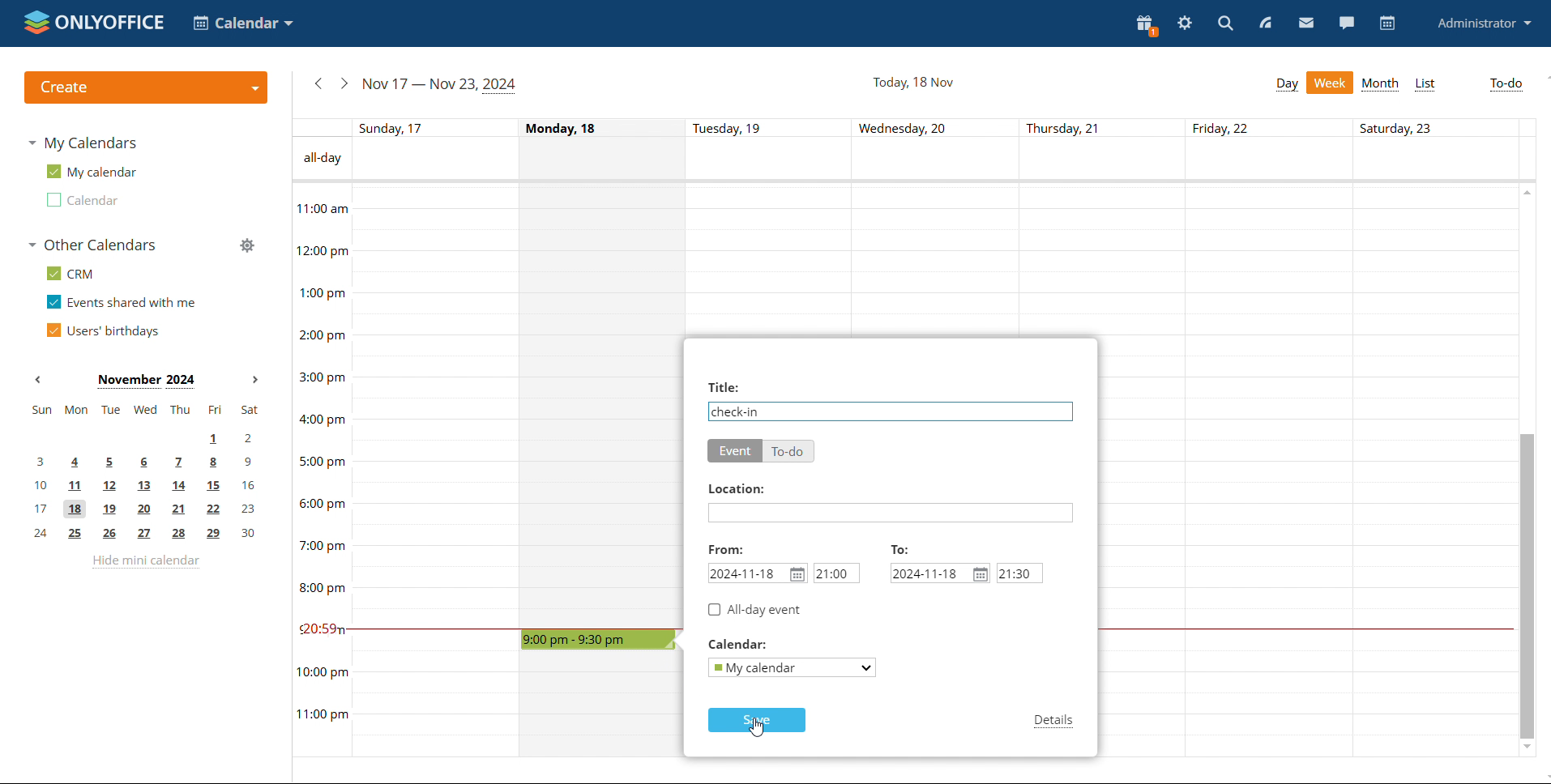 Image resolution: width=1551 pixels, height=784 pixels. Describe the element at coordinates (1265, 22) in the screenshot. I see `feed` at that location.